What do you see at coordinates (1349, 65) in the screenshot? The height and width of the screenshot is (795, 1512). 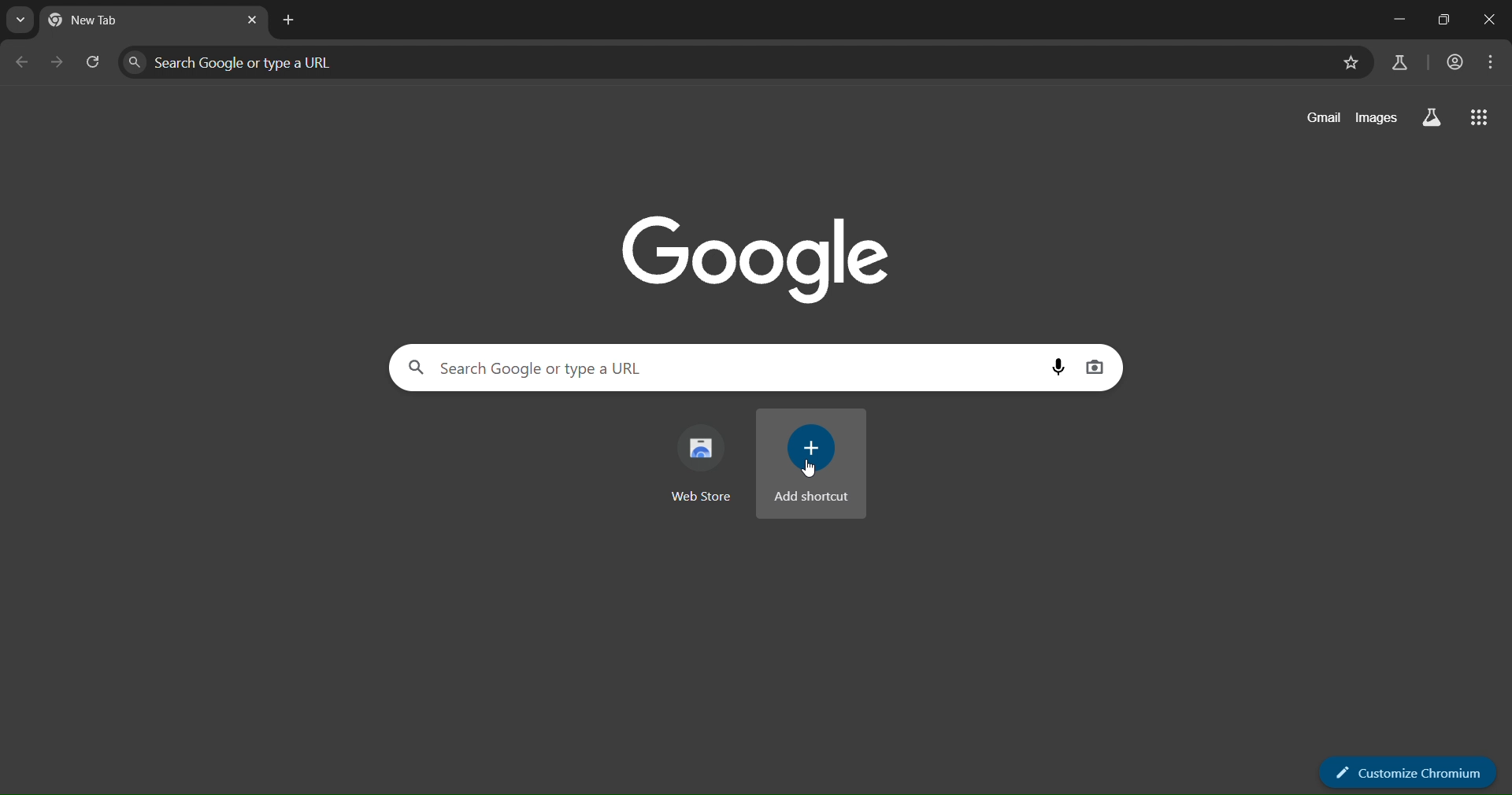 I see `bookmark page` at bounding box center [1349, 65].